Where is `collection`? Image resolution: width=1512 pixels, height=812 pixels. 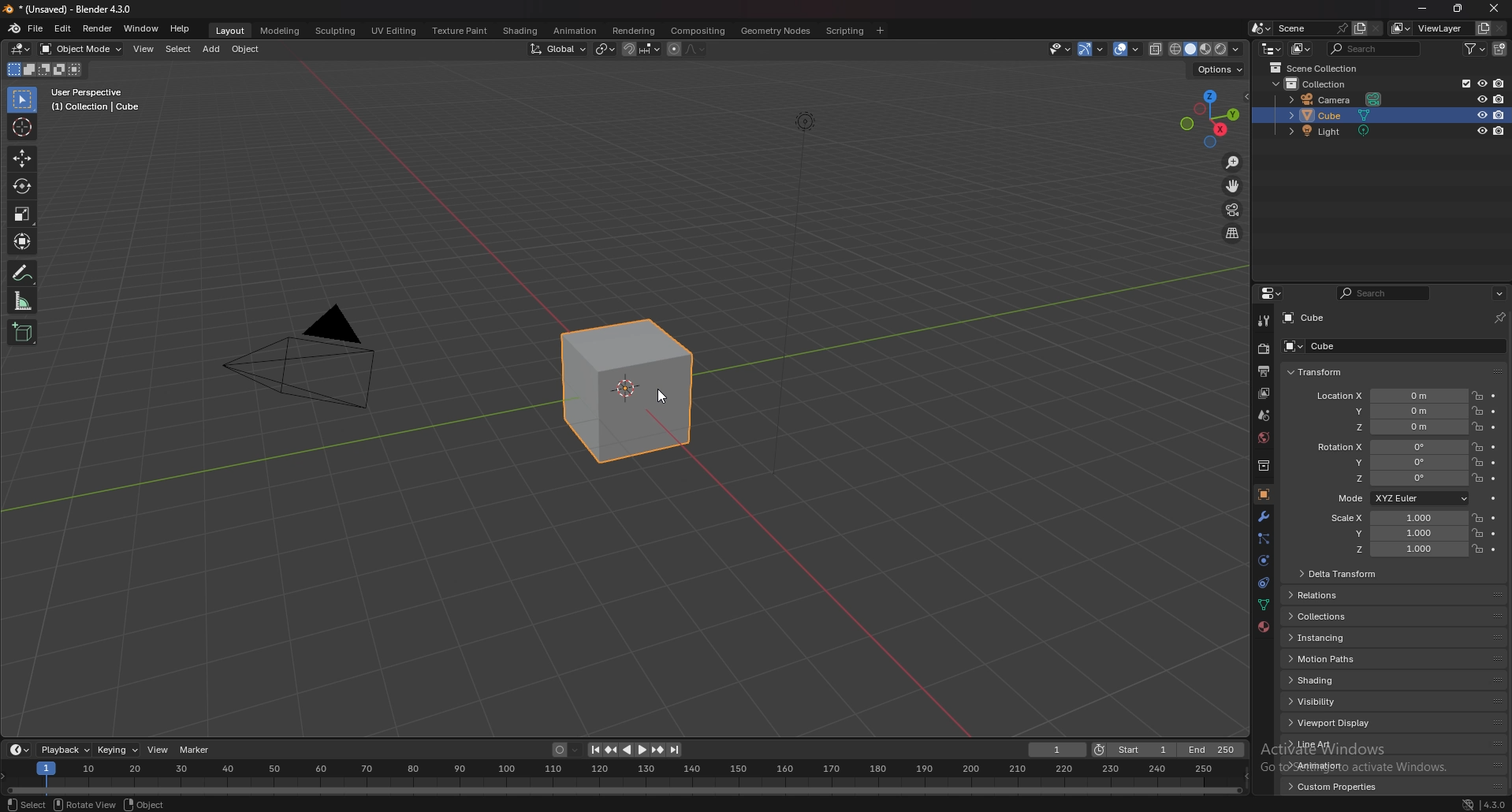 collection is located at coordinates (1320, 84).